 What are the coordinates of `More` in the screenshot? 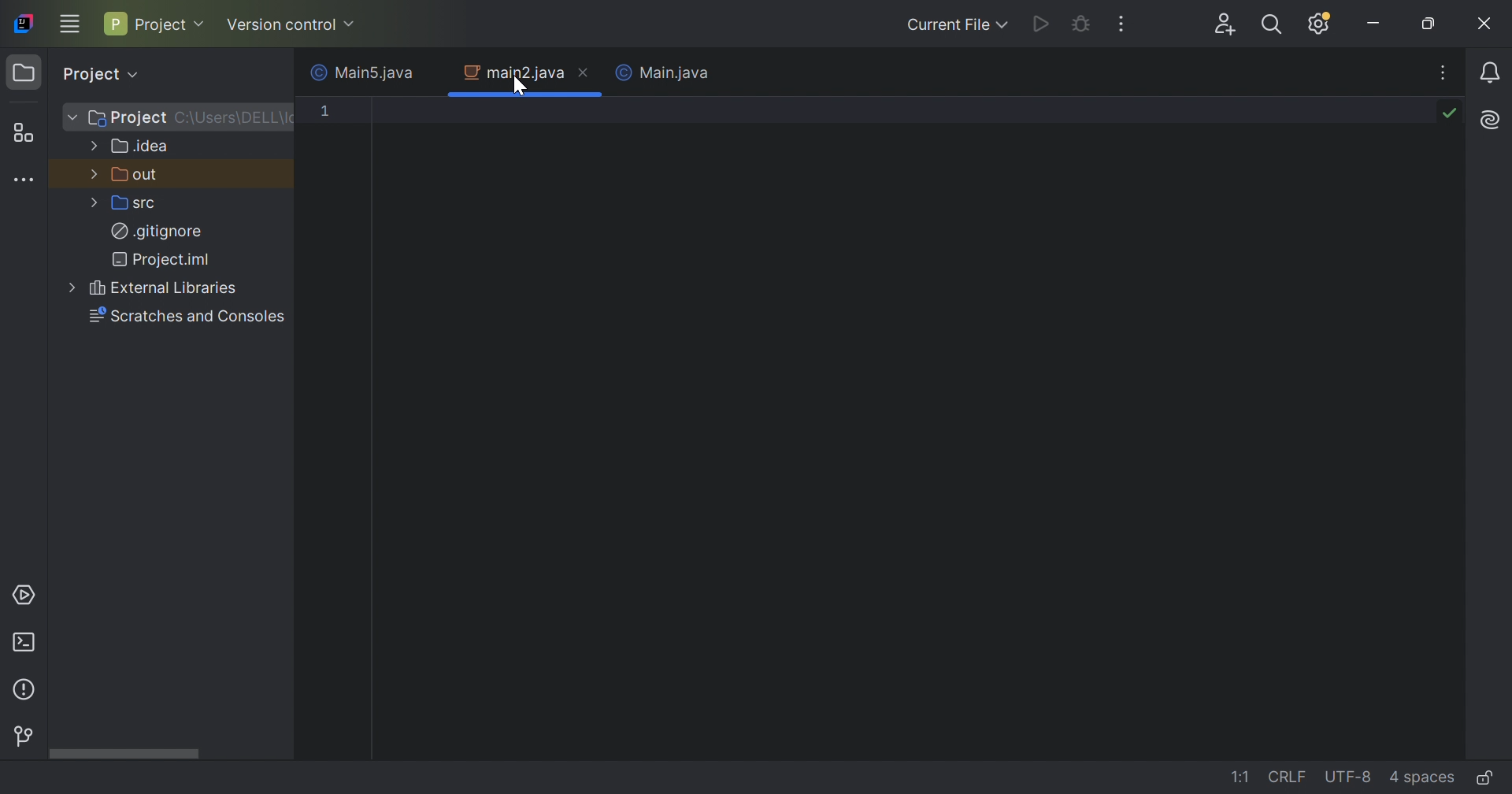 It's located at (95, 145).